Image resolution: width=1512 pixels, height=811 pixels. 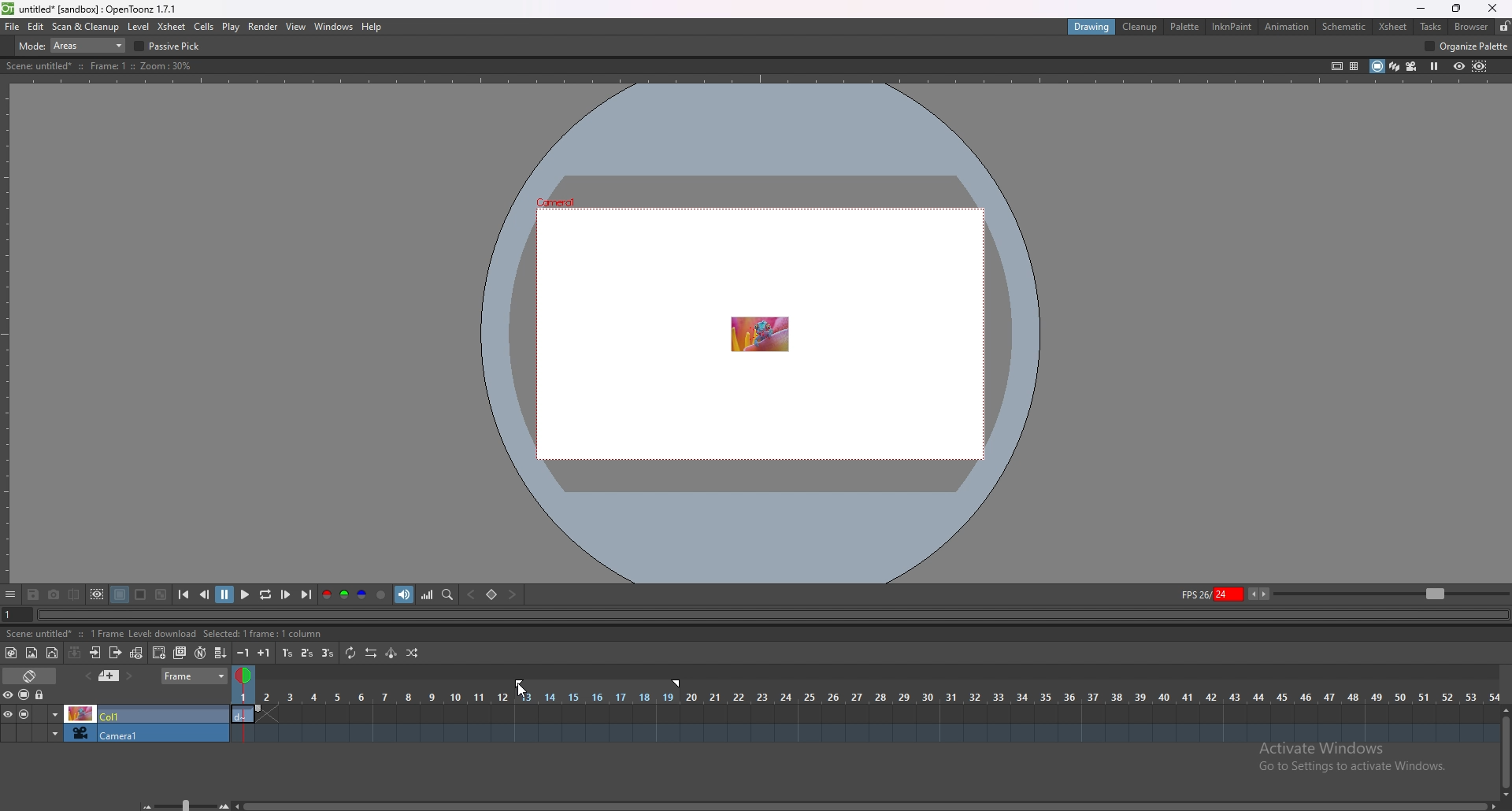 I want to click on camera view, so click(x=1412, y=66).